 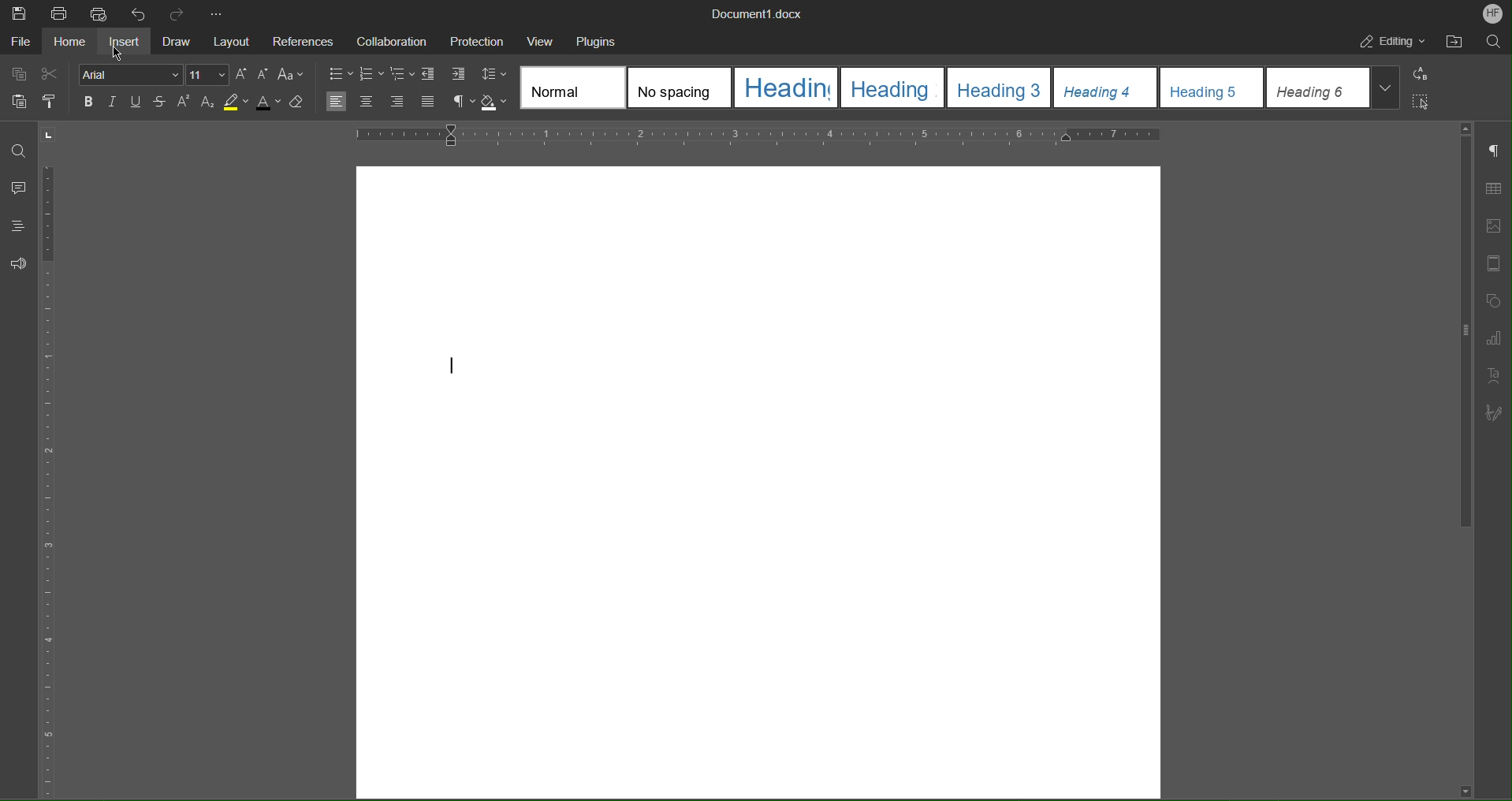 What do you see at coordinates (132, 75) in the screenshot?
I see `Font` at bounding box center [132, 75].